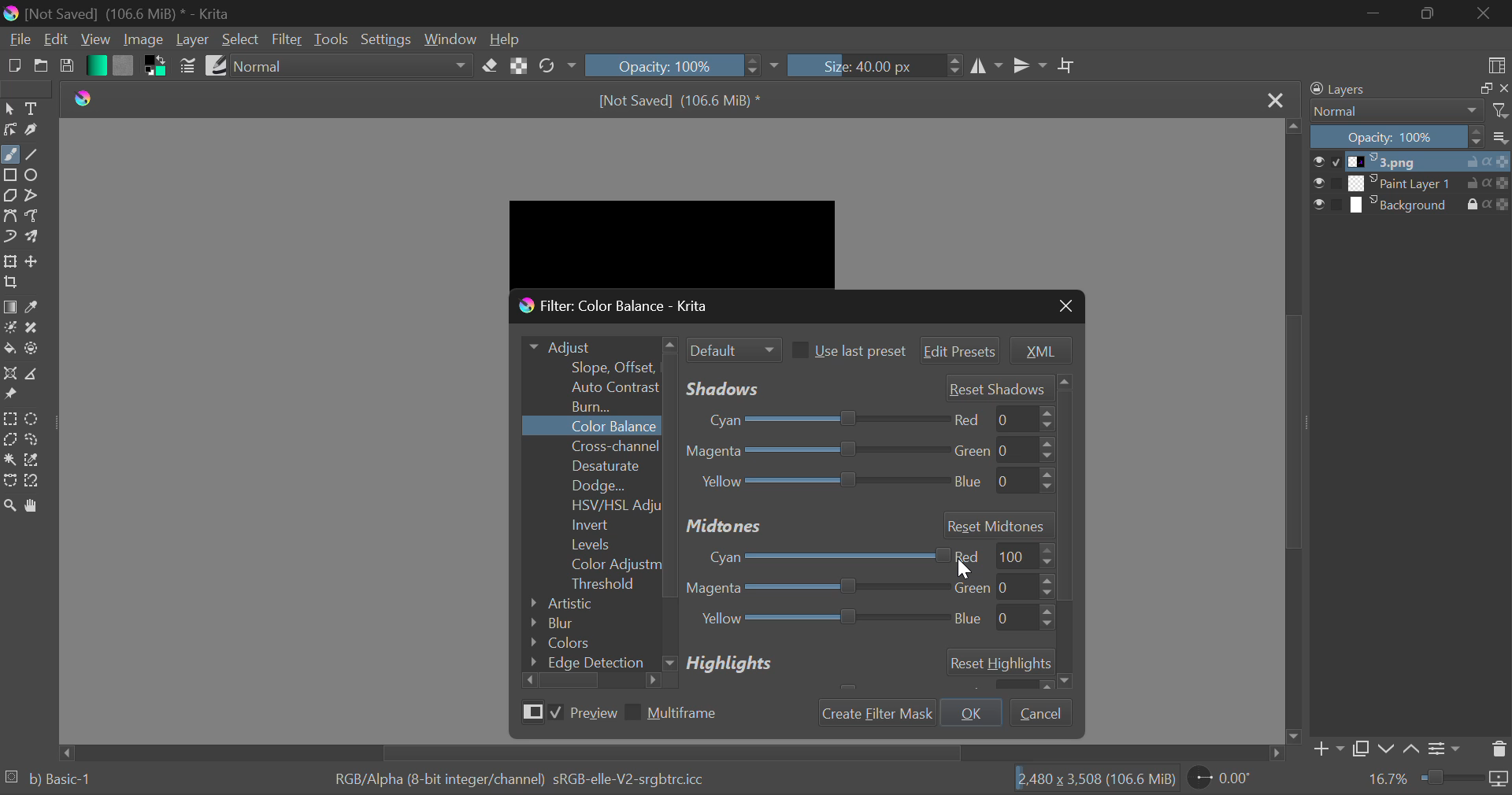 The image size is (1512, 795). I want to click on Yellow-Blue Slider, so click(818, 484).